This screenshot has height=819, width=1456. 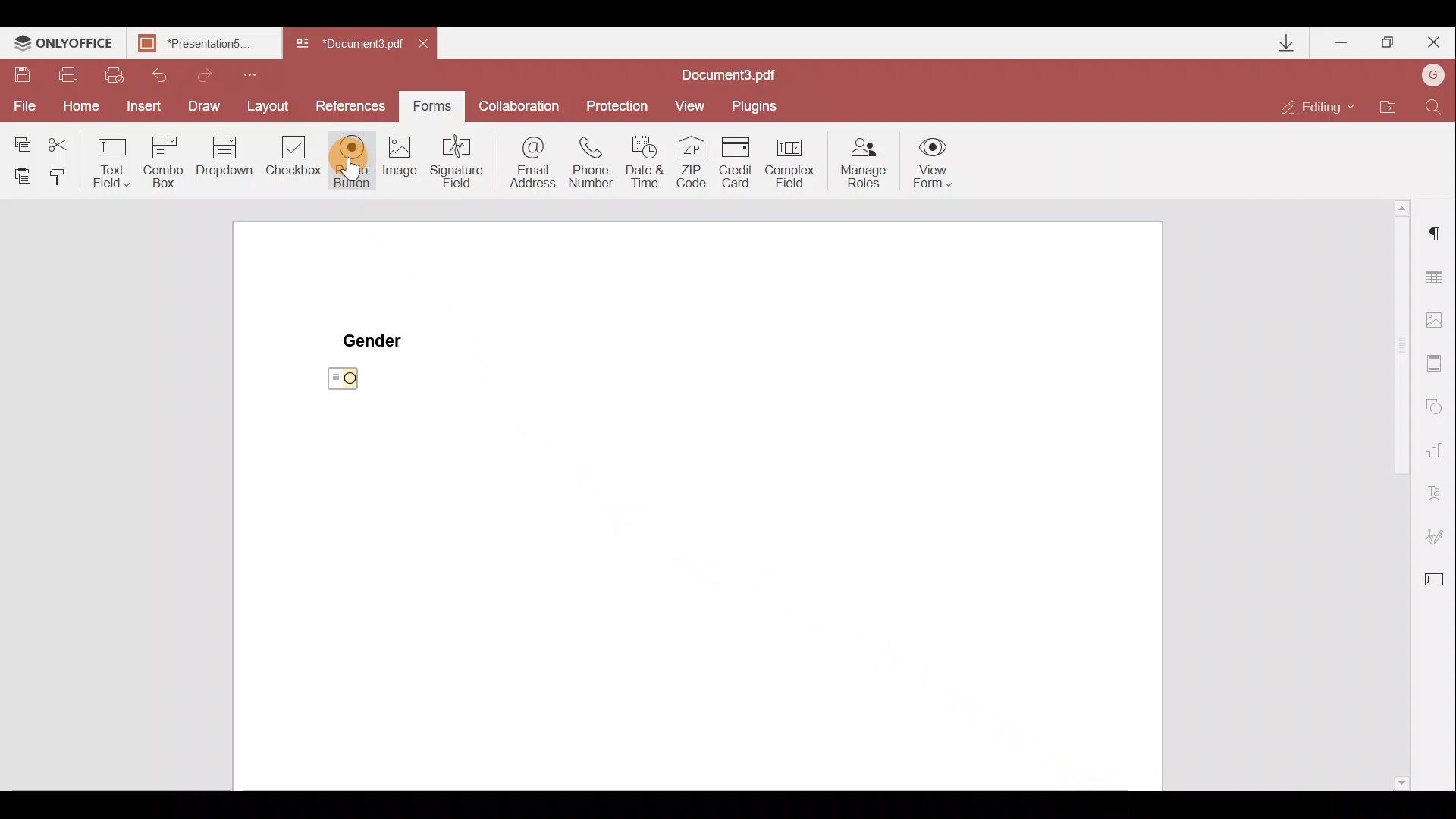 What do you see at coordinates (224, 163) in the screenshot?
I see `Dropdown` at bounding box center [224, 163].